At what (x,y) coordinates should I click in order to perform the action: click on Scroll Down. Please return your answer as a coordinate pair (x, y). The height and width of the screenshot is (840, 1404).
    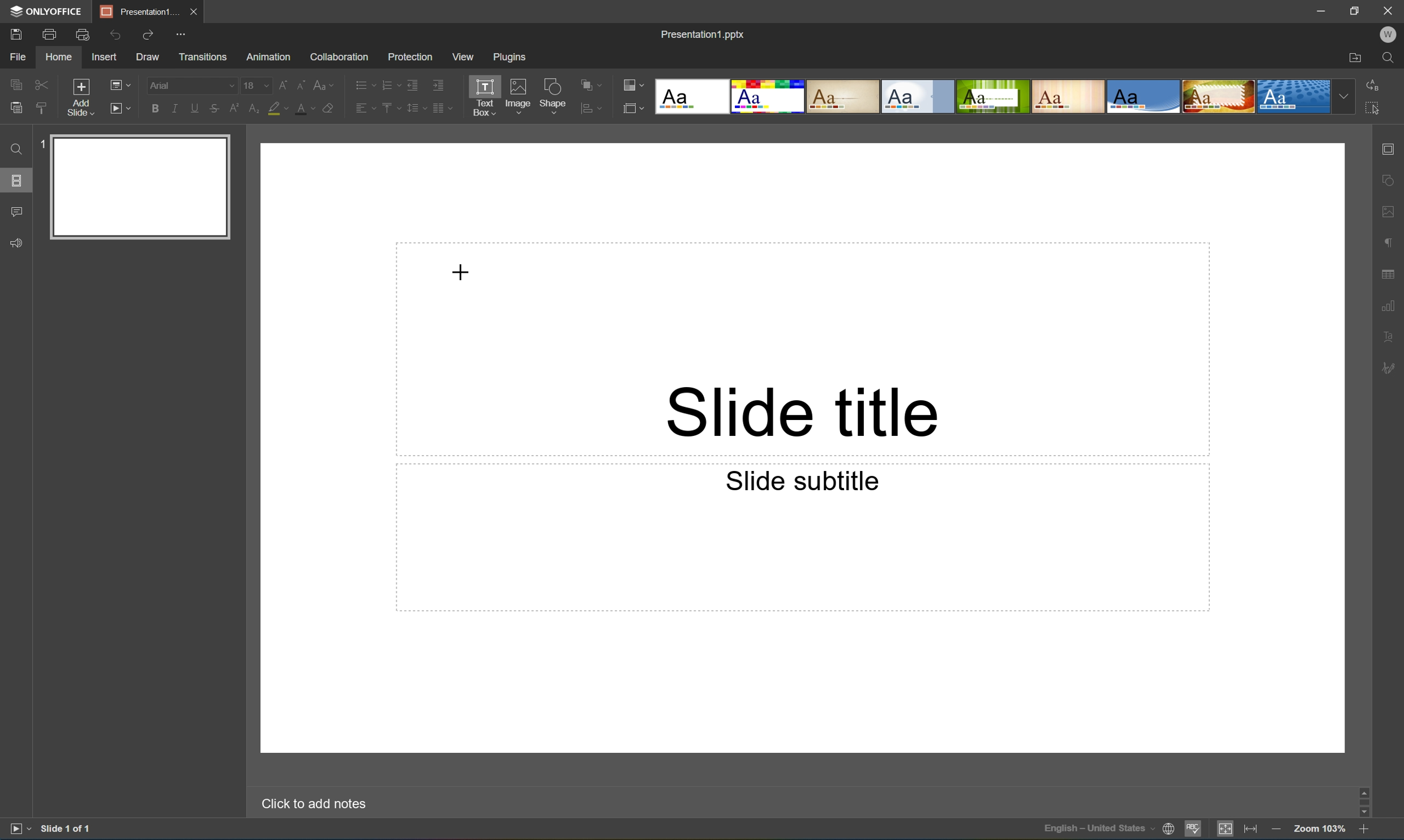
    Looking at the image, I should click on (1363, 812).